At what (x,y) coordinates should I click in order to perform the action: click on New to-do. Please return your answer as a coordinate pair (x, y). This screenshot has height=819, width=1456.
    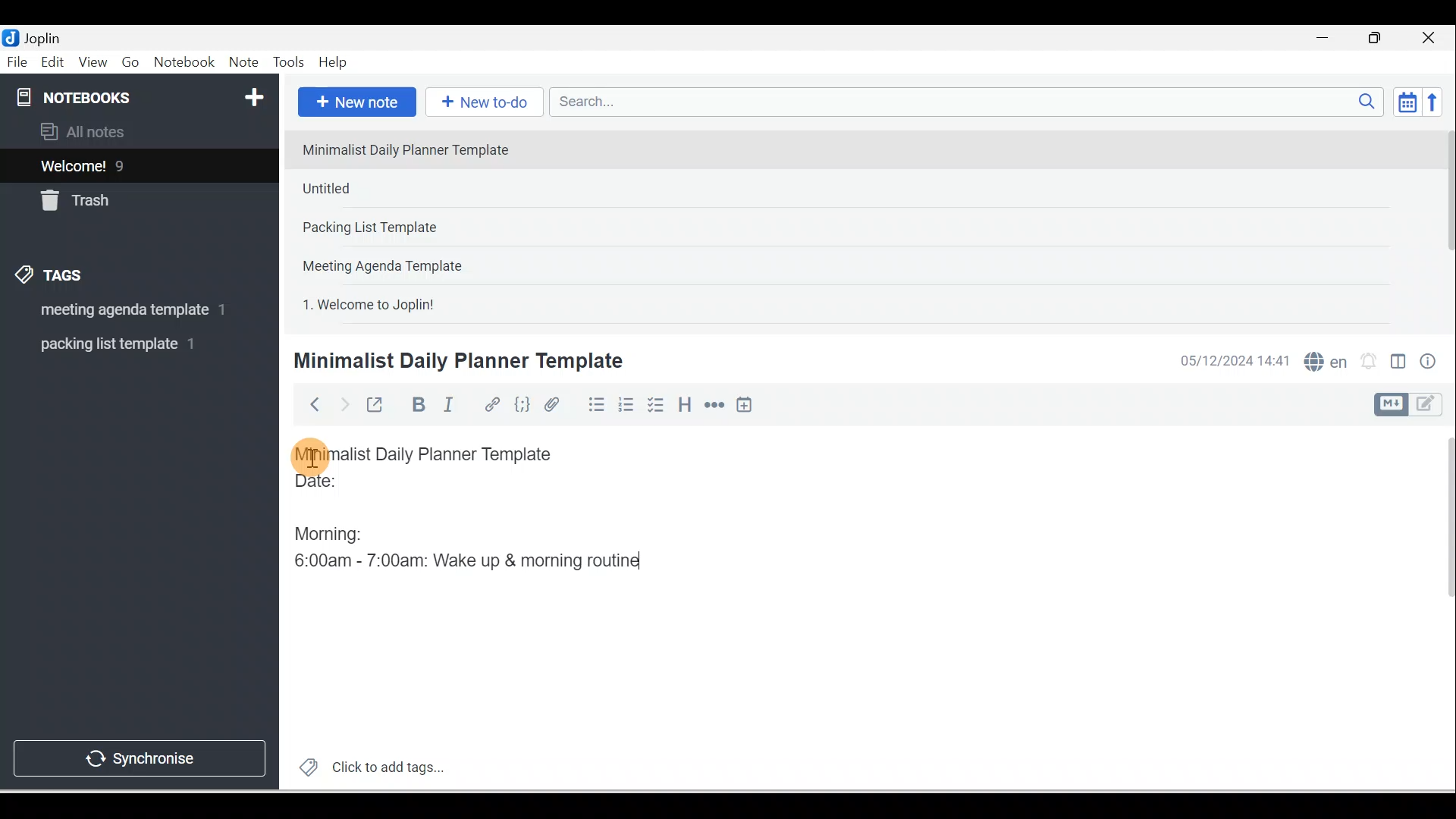
    Looking at the image, I should click on (481, 103).